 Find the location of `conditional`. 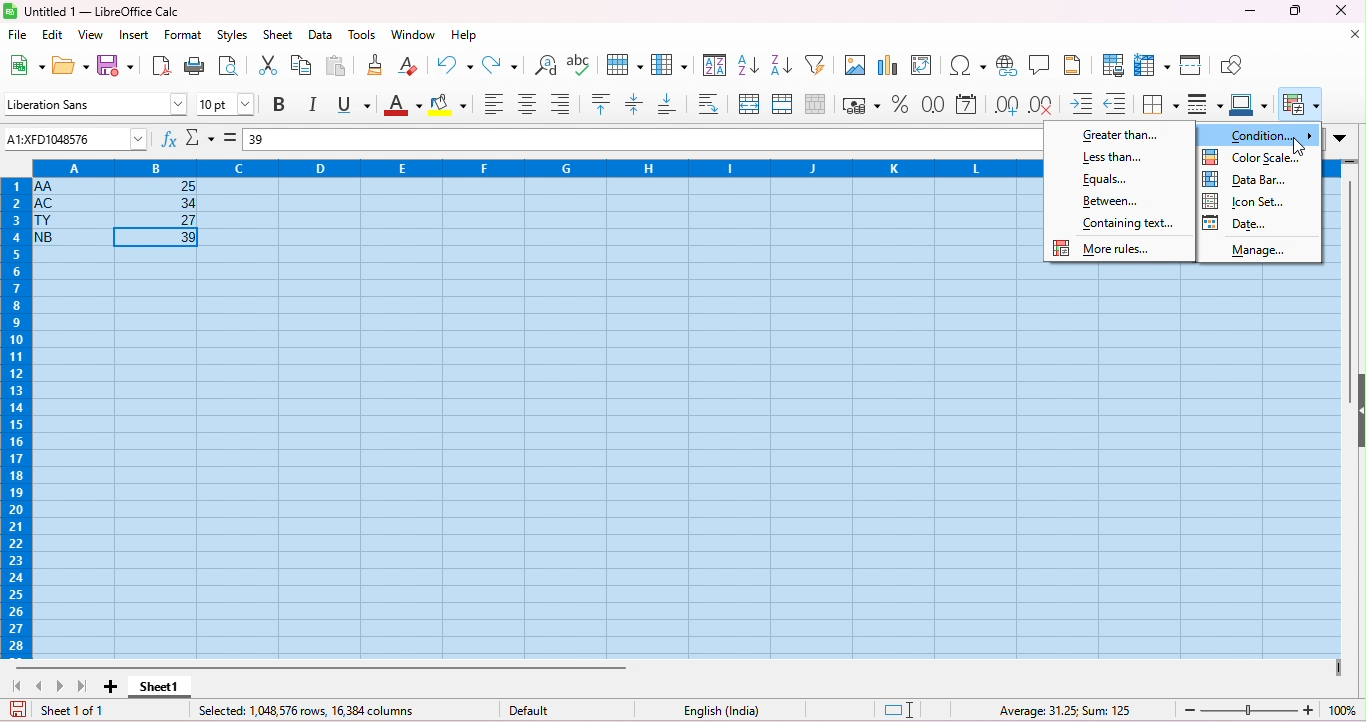

conditional is located at coordinates (1299, 106).